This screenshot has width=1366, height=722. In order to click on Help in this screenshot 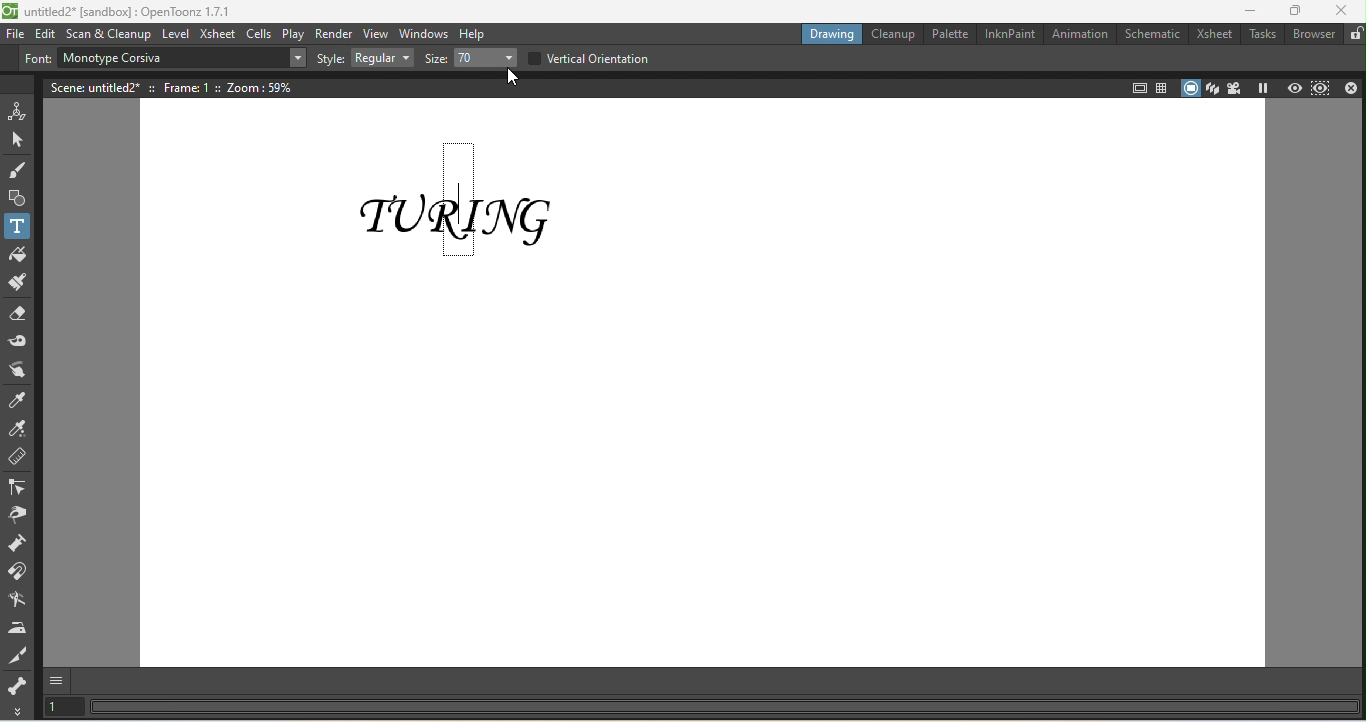, I will do `click(475, 32)`.